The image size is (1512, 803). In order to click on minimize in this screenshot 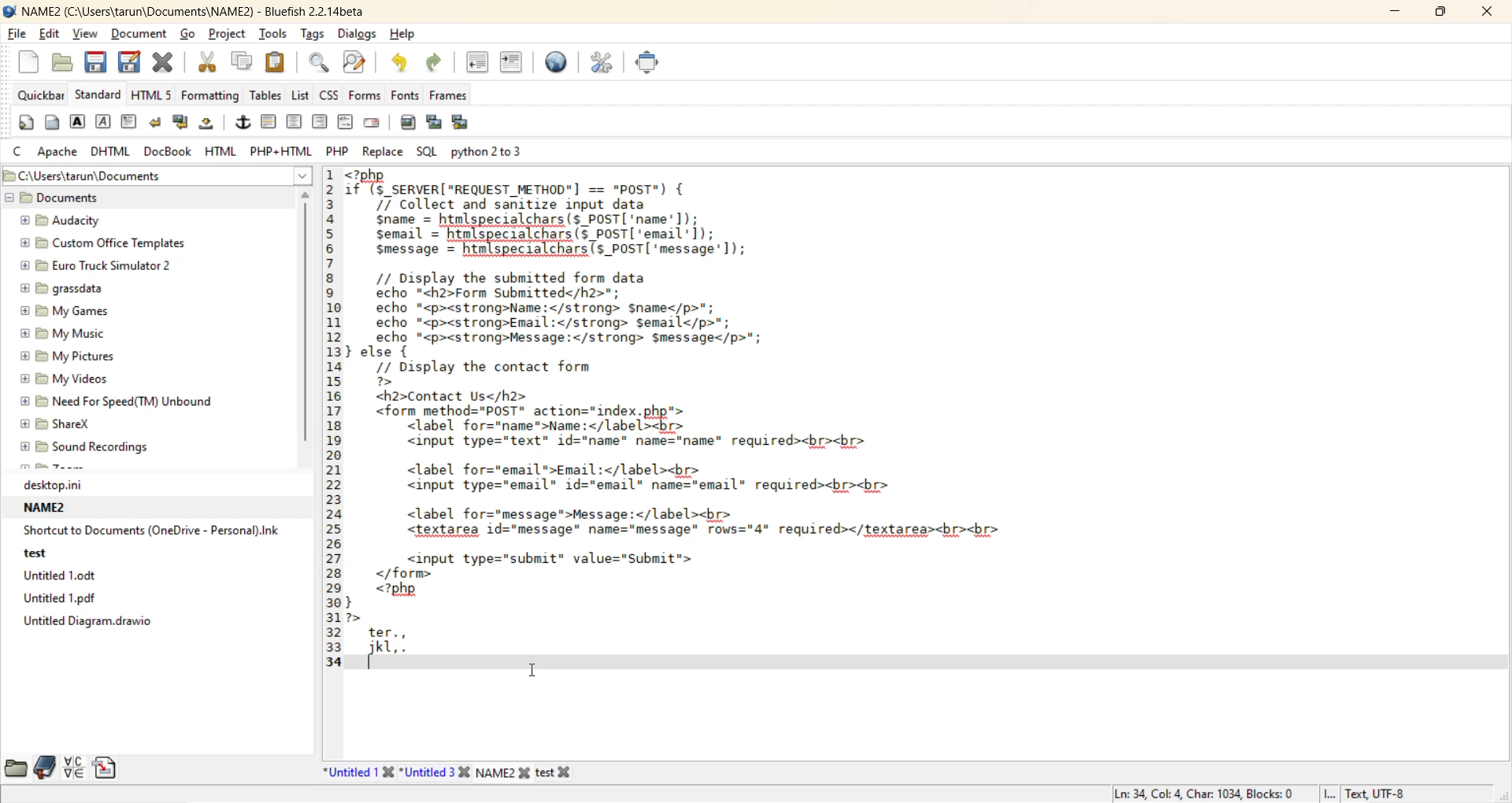, I will do `click(1392, 13)`.